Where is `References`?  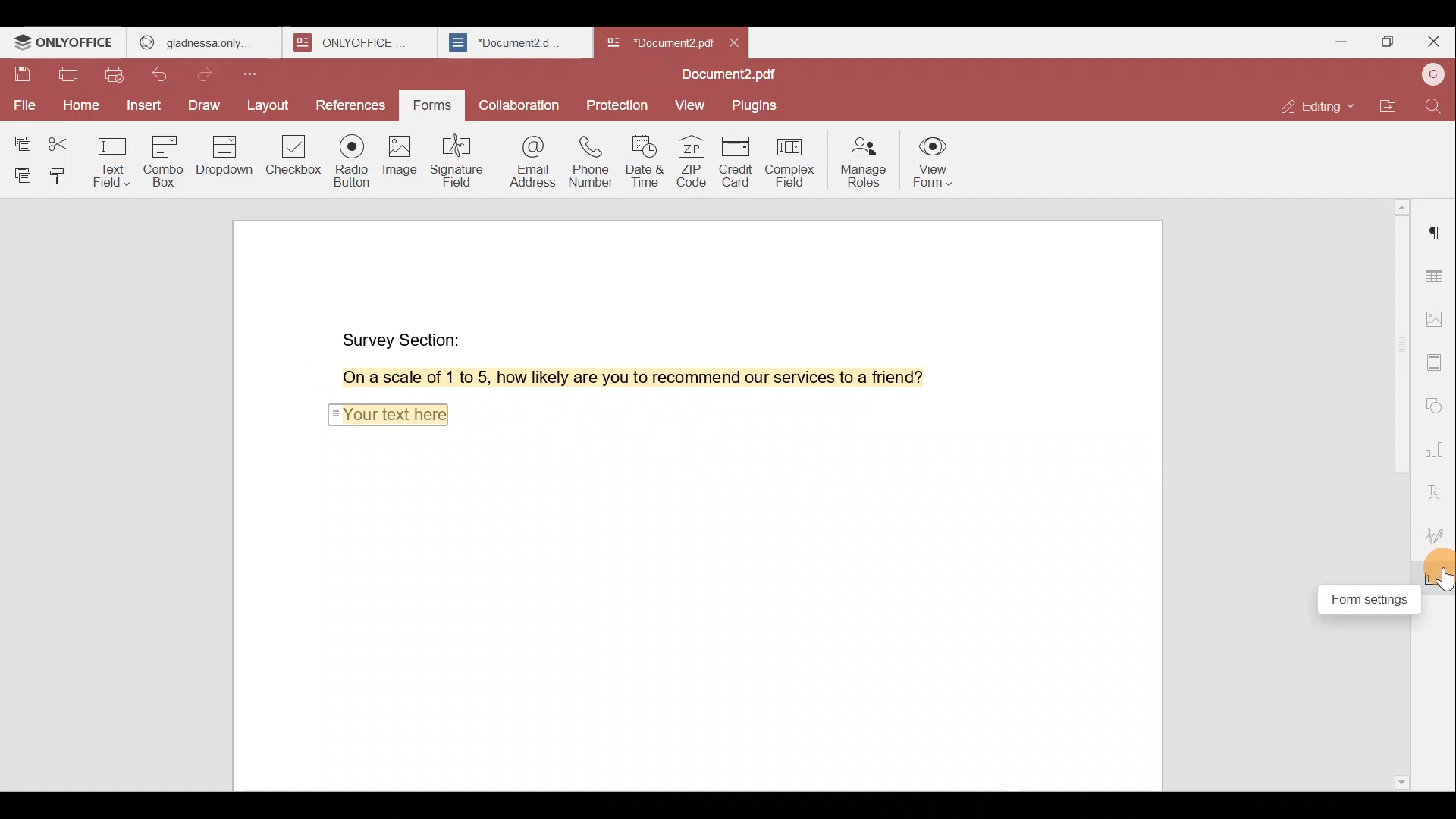 References is located at coordinates (352, 107).